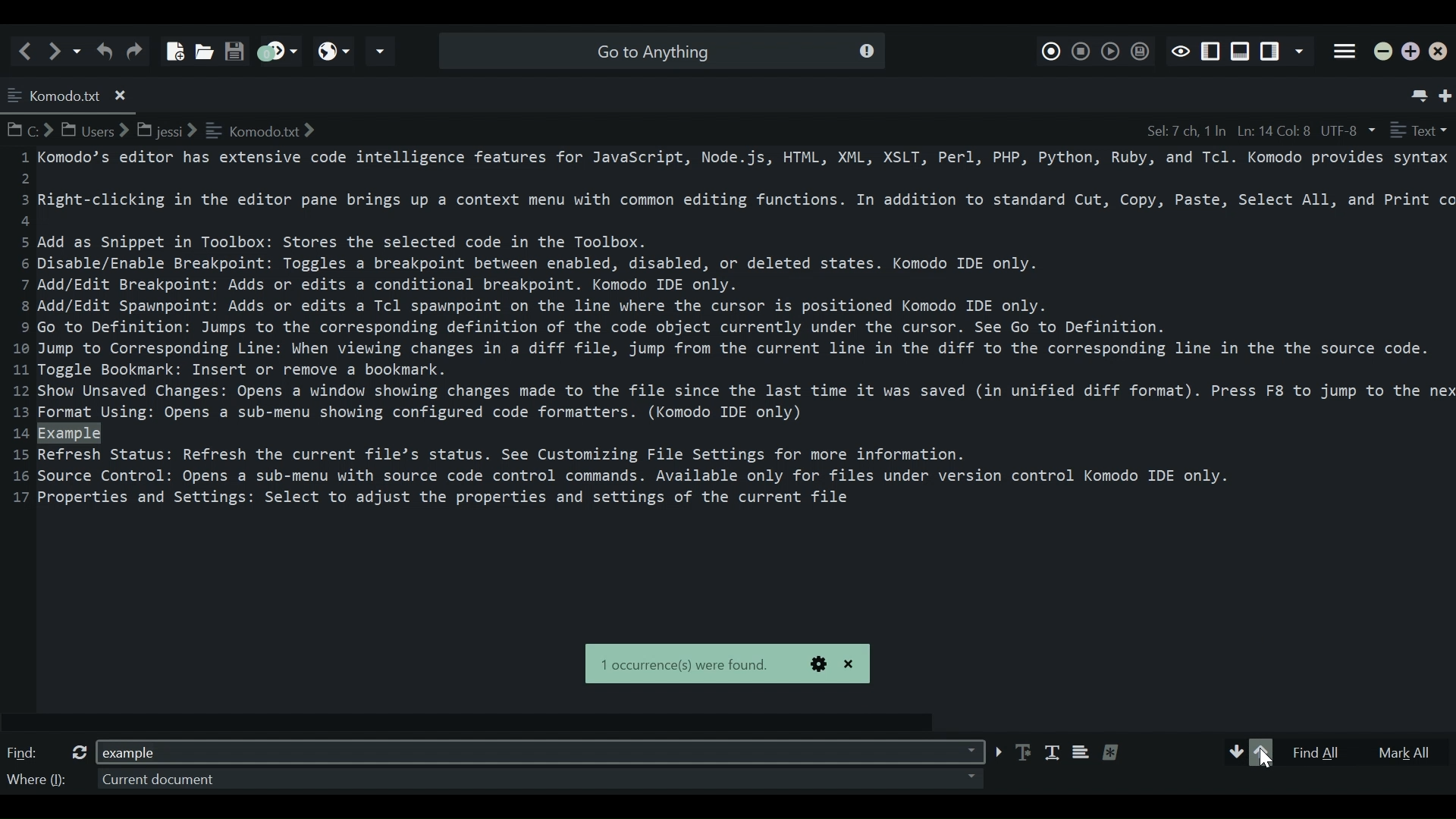  What do you see at coordinates (70, 93) in the screenshot?
I see `Current Tab` at bounding box center [70, 93].